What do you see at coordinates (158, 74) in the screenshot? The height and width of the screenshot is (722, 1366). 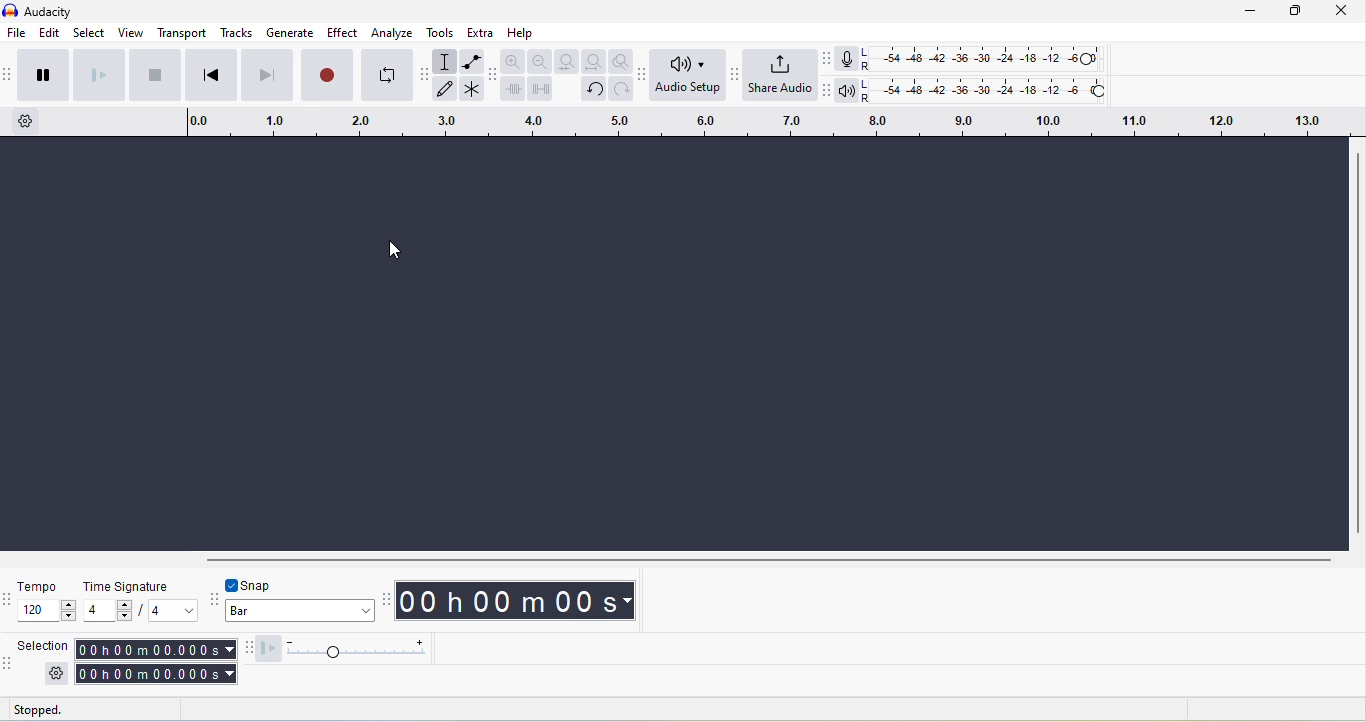 I see `stop` at bounding box center [158, 74].